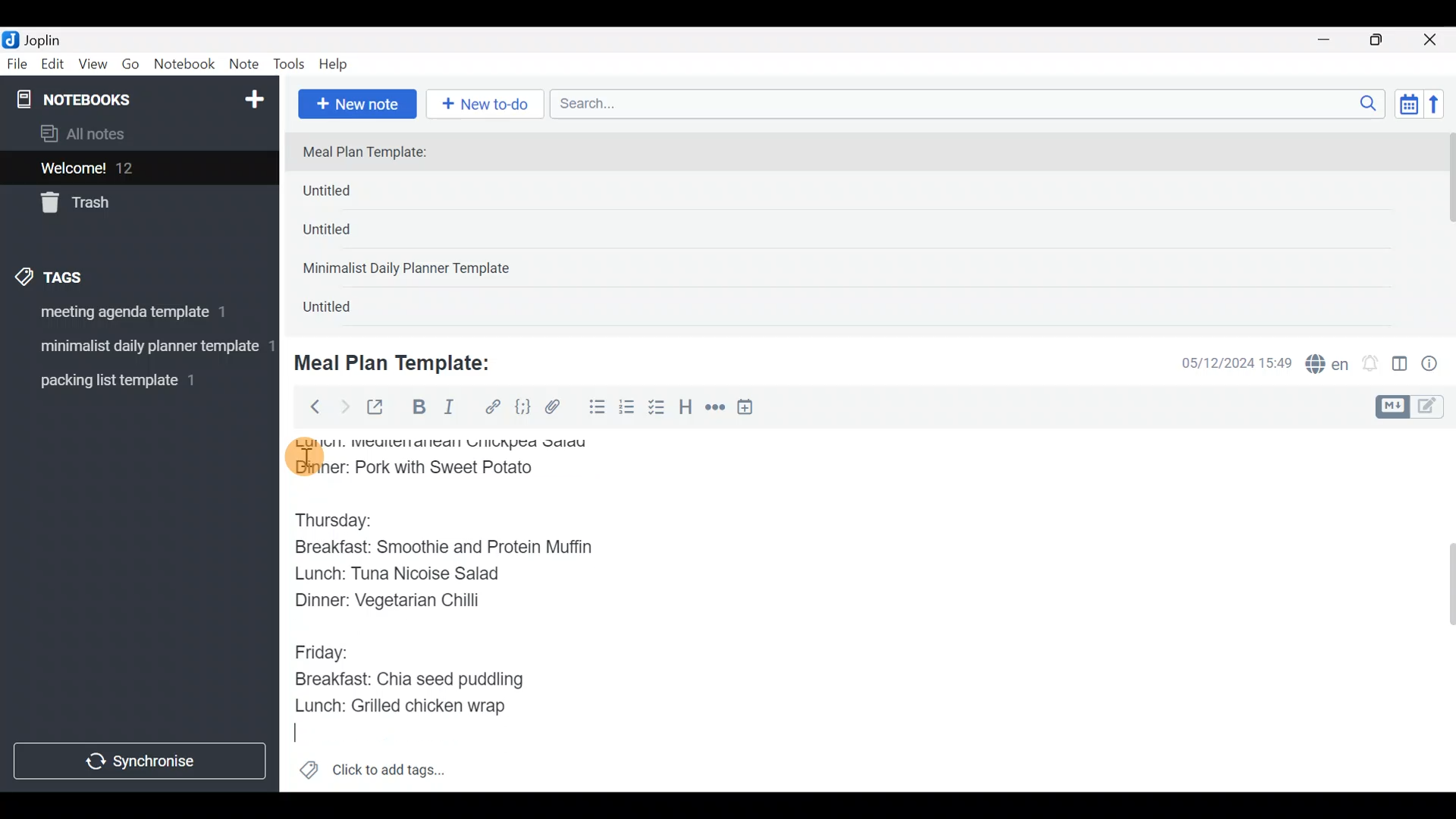 This screenshot has width=1456, height=819. I want to click on Toggle external editing, so click(381, 408).